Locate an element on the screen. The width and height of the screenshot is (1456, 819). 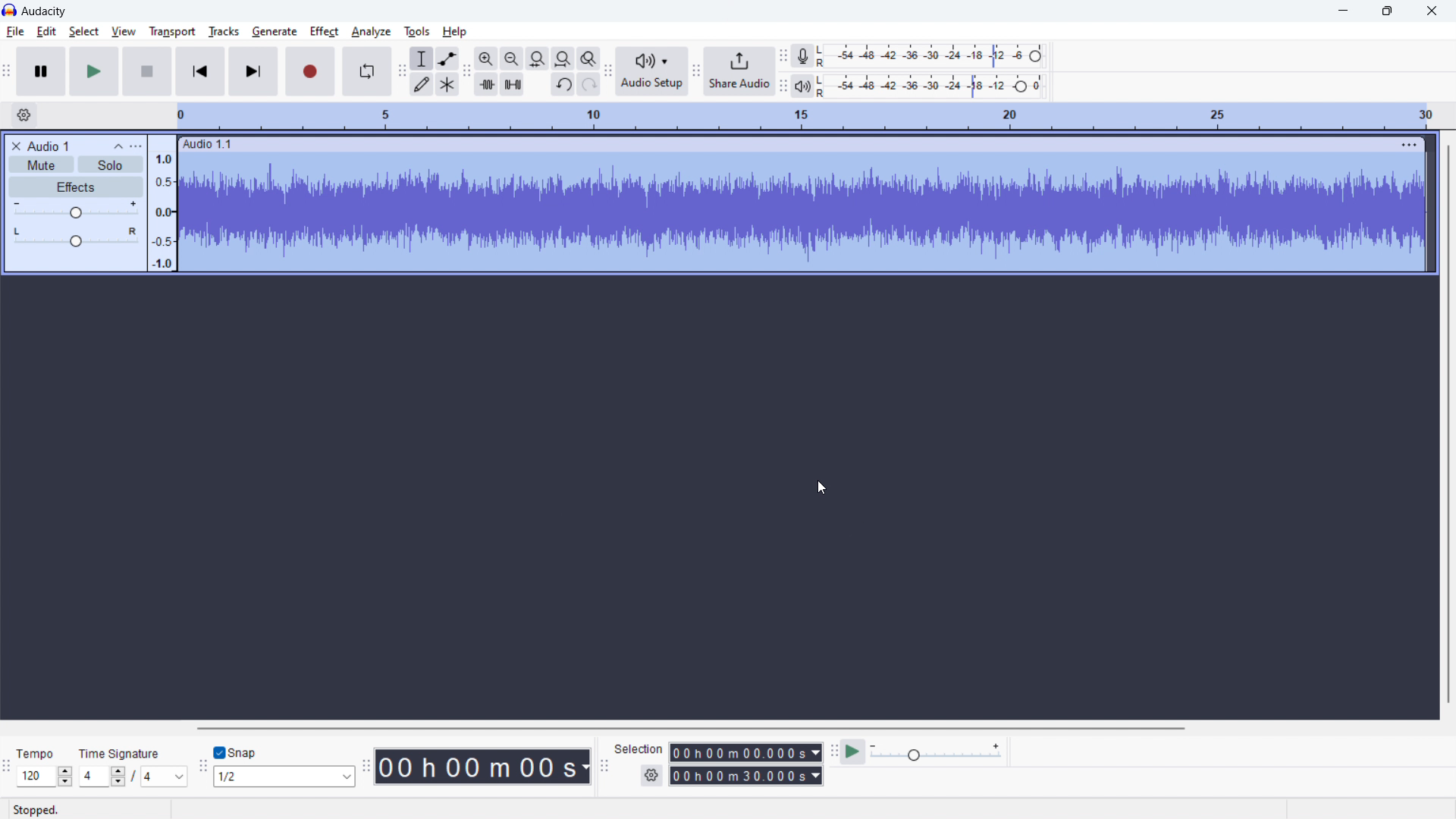
 is located at coordinates (801, 55).